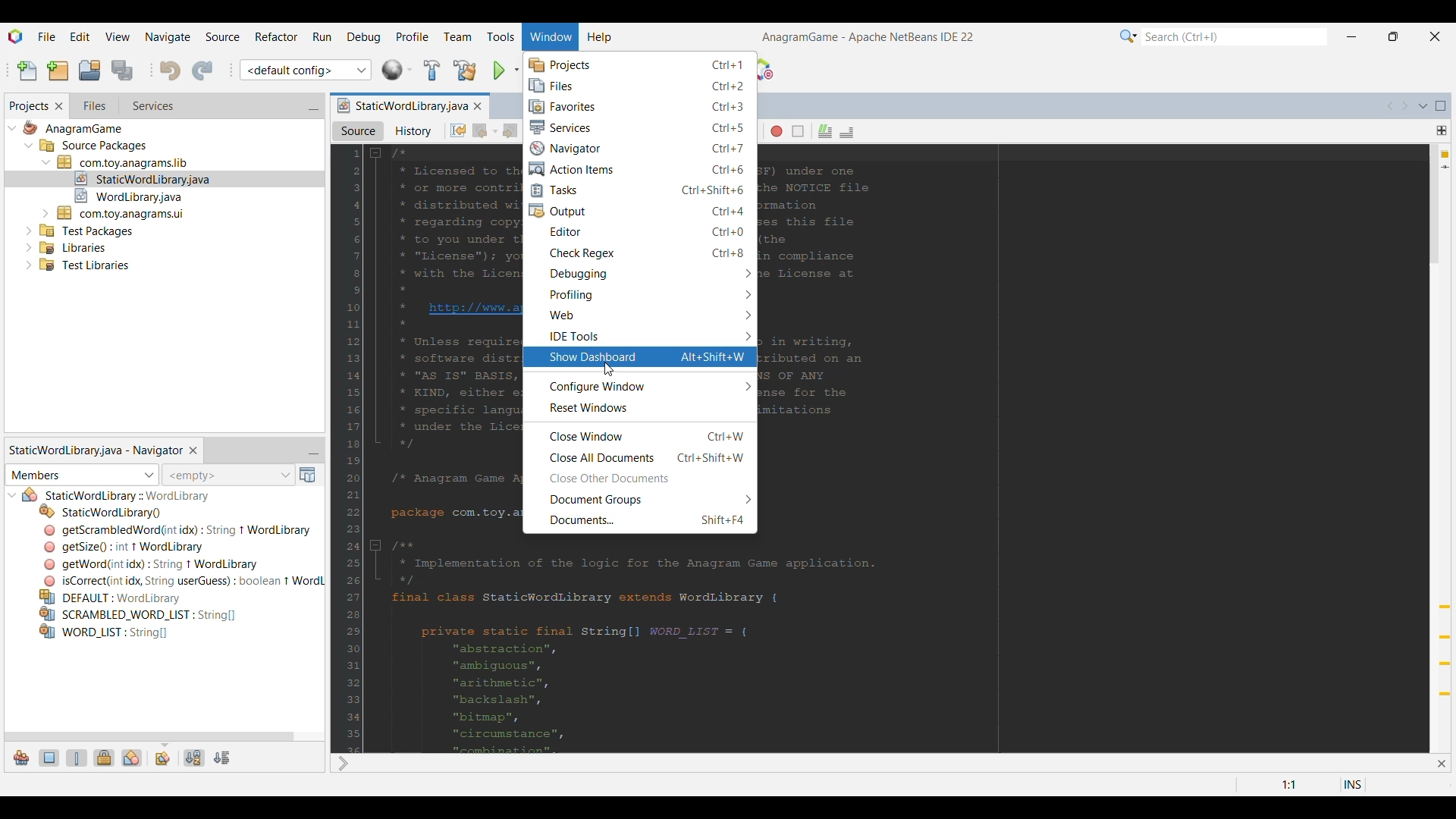 The height and width of the screenshot is (819, 1456). What do you see at coordinates (639, 190) in the screenshot?
I see `Taks` at bounding box center [639, 190].